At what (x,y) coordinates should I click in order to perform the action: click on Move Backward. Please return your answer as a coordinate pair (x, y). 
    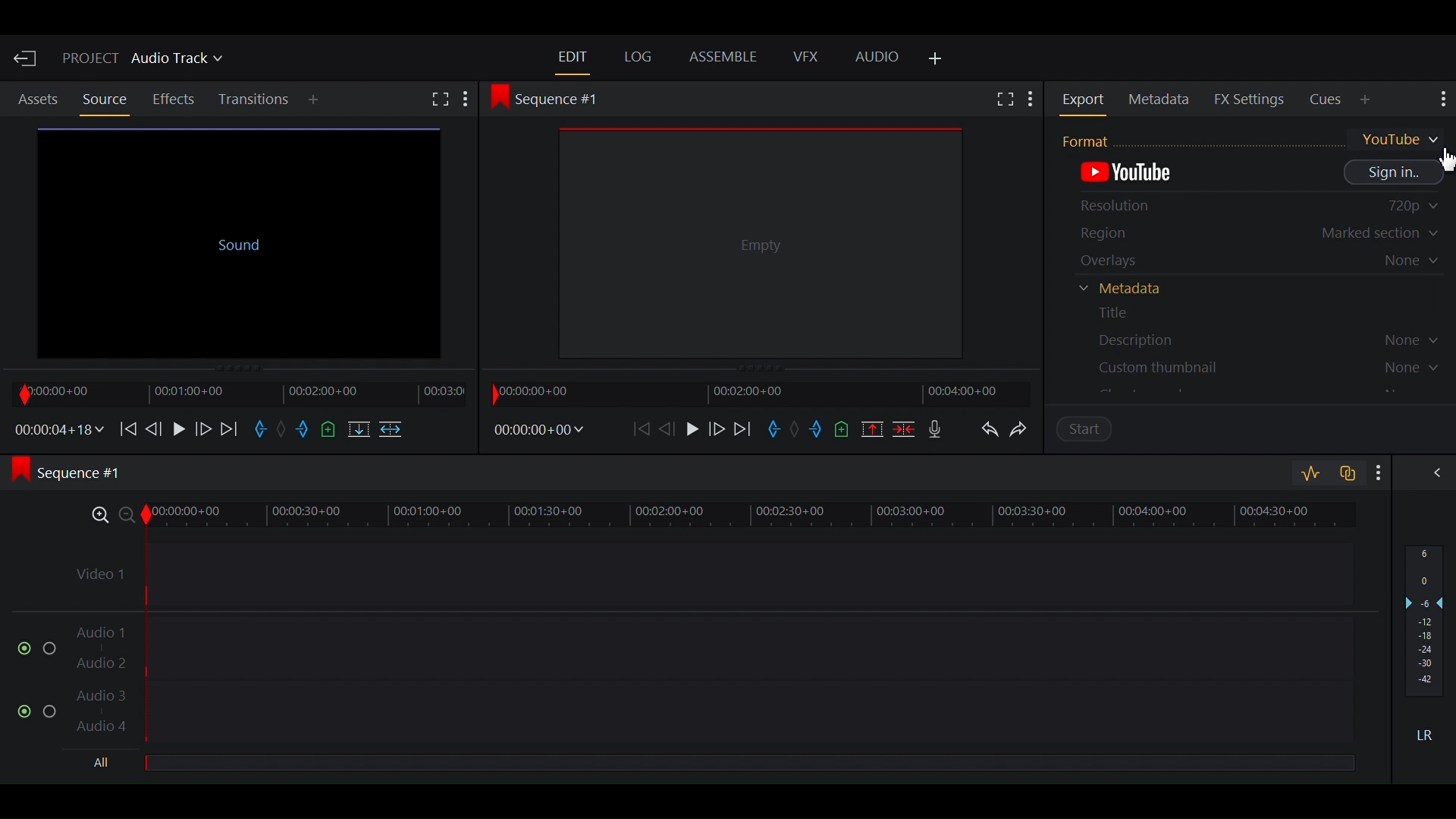
    Looking at the image, I should click on (127, 428).